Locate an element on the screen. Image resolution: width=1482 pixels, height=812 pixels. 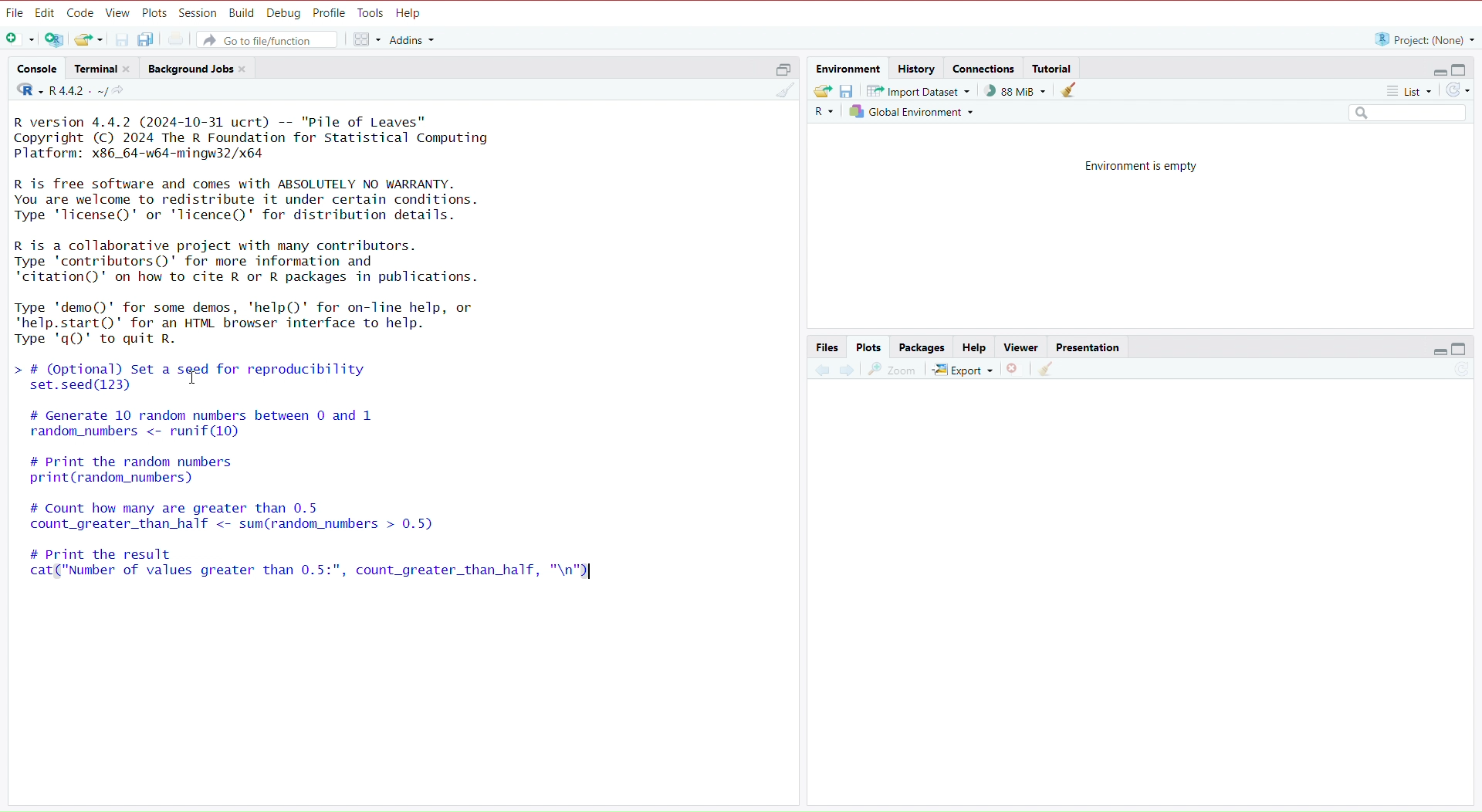
Packages is located at coordinates (921, 347).